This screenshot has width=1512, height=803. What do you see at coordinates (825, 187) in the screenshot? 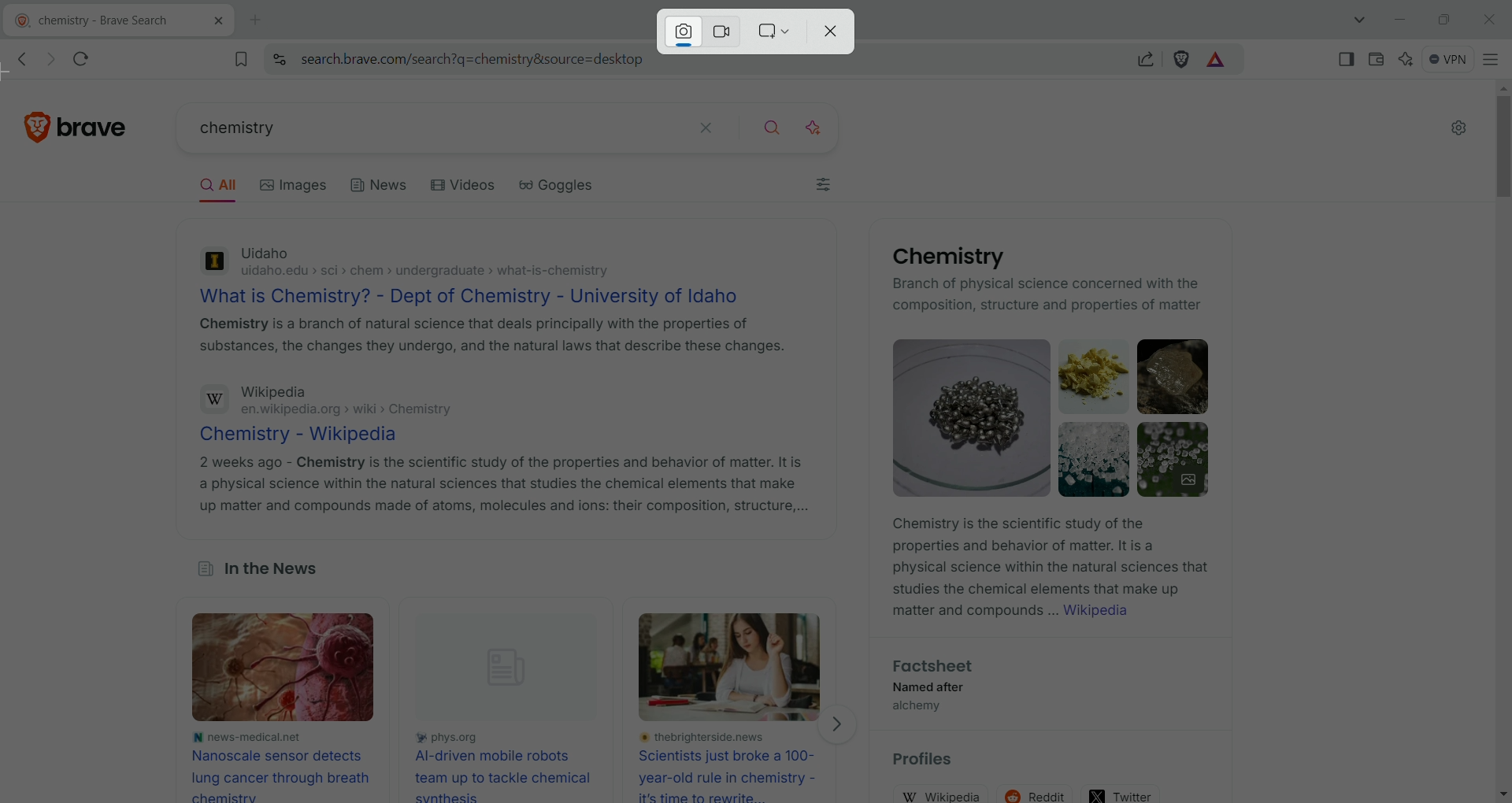
I see `filters` at bounding box center [825, 187].